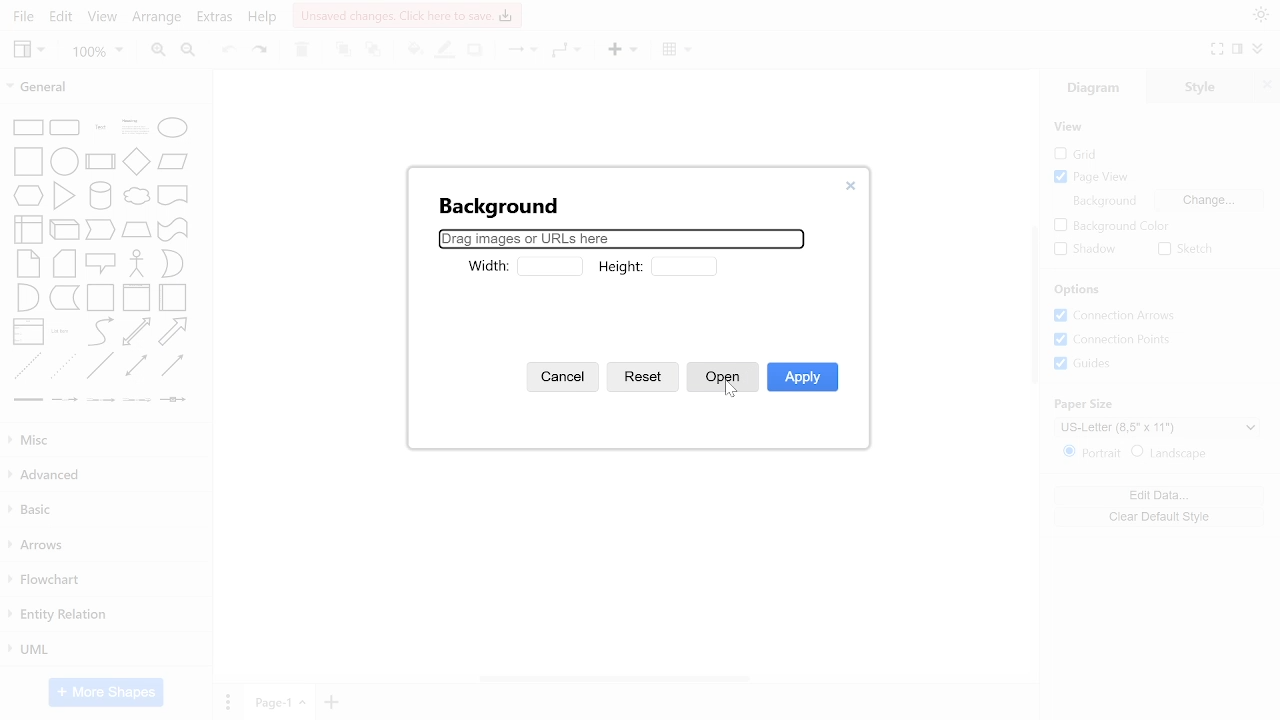  I want to click on general shapes, so click(63, 400).